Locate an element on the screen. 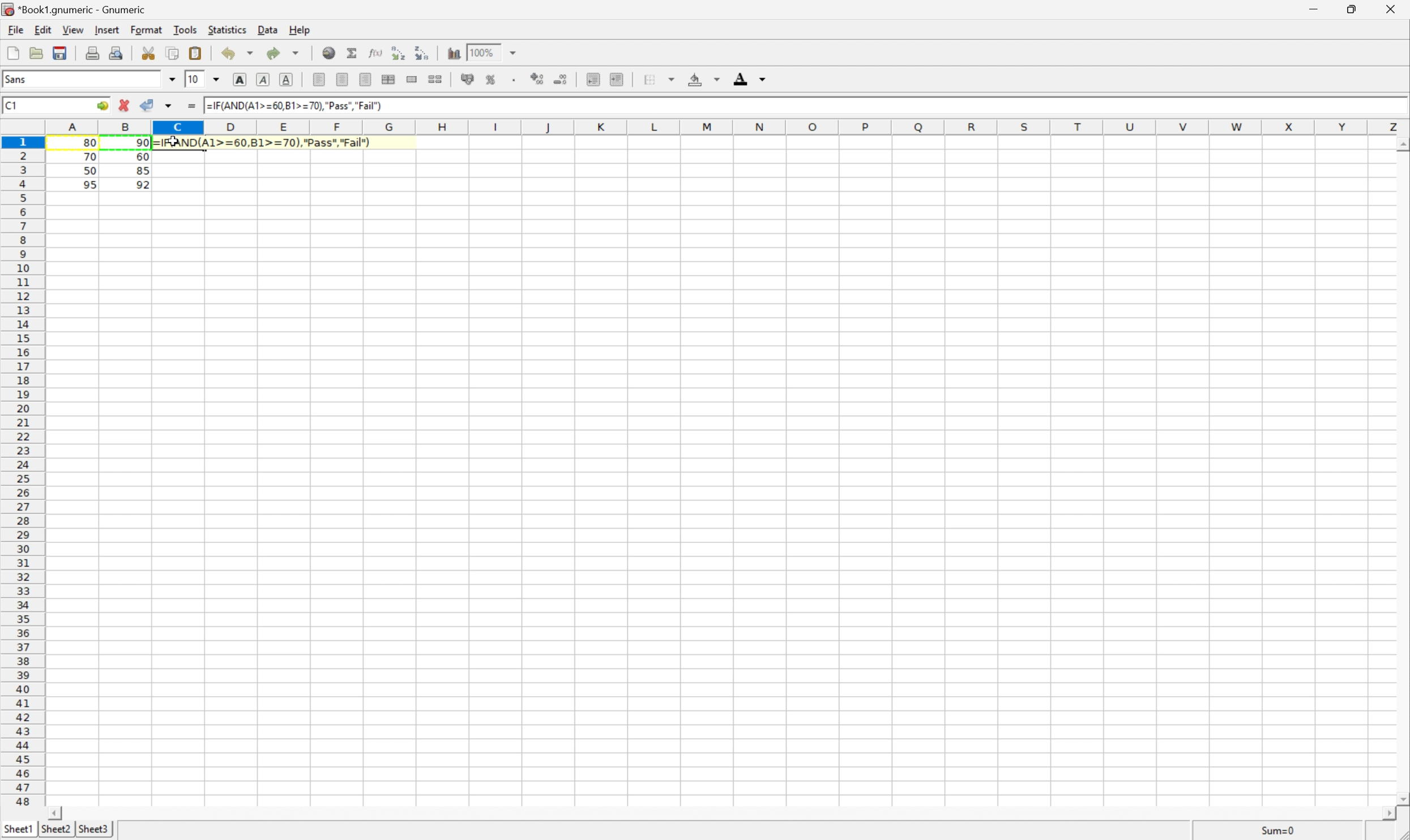  85 is located at coordinates (142, 172).